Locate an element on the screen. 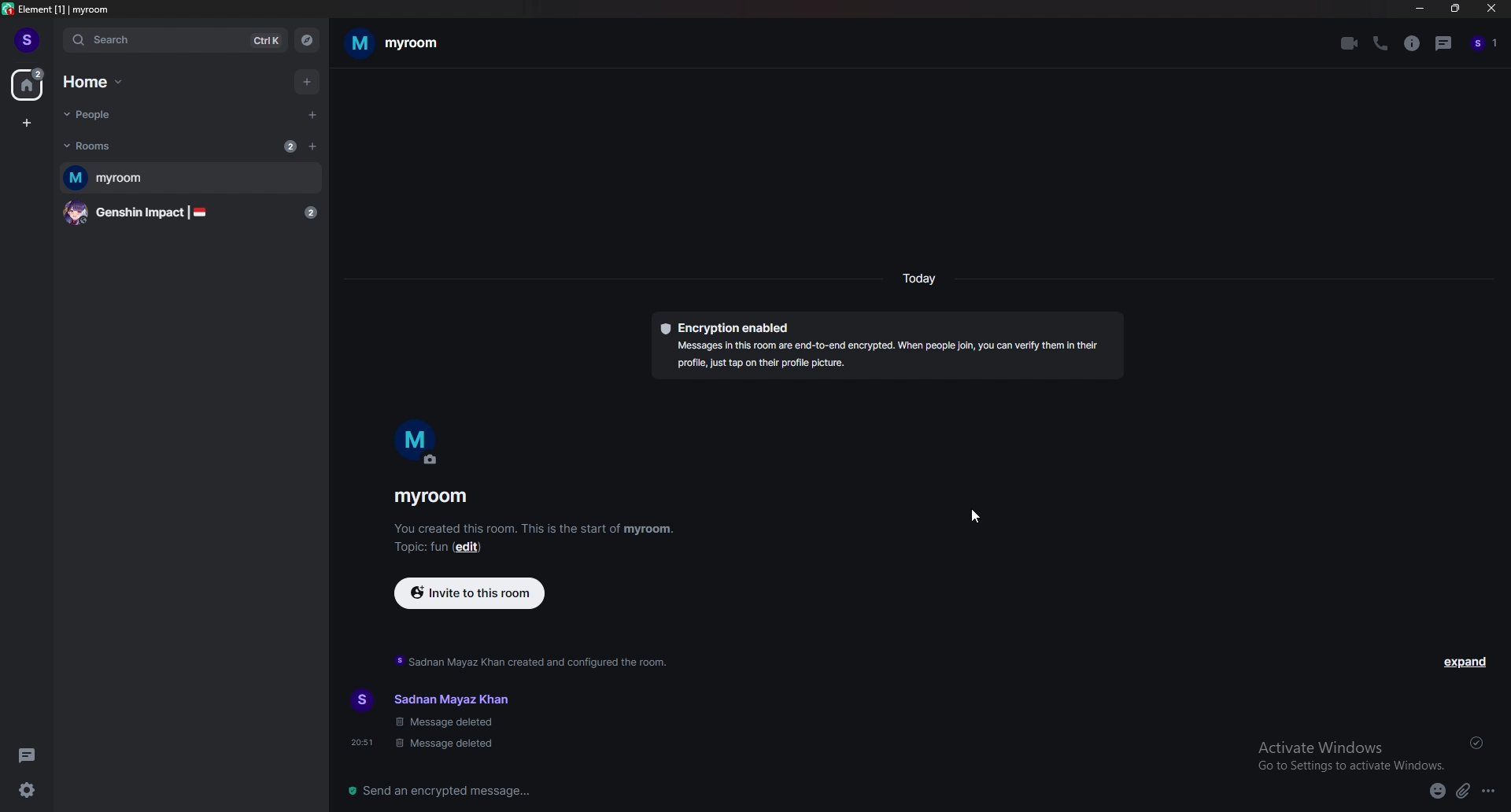  you created this room. this is the start of myroom. is located at coordinates (530, 529).